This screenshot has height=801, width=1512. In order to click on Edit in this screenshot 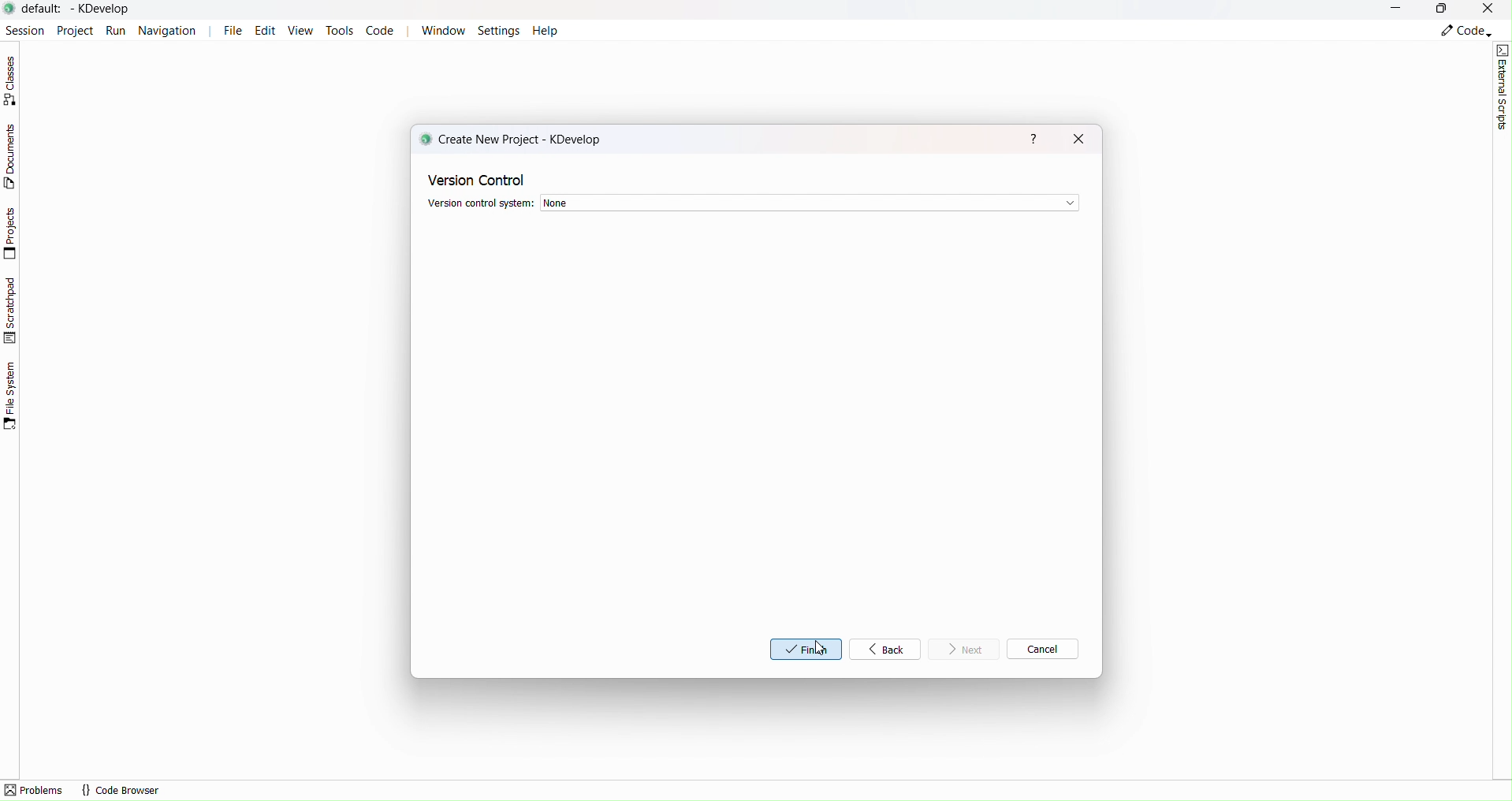, I will do `click(269, 31)`.